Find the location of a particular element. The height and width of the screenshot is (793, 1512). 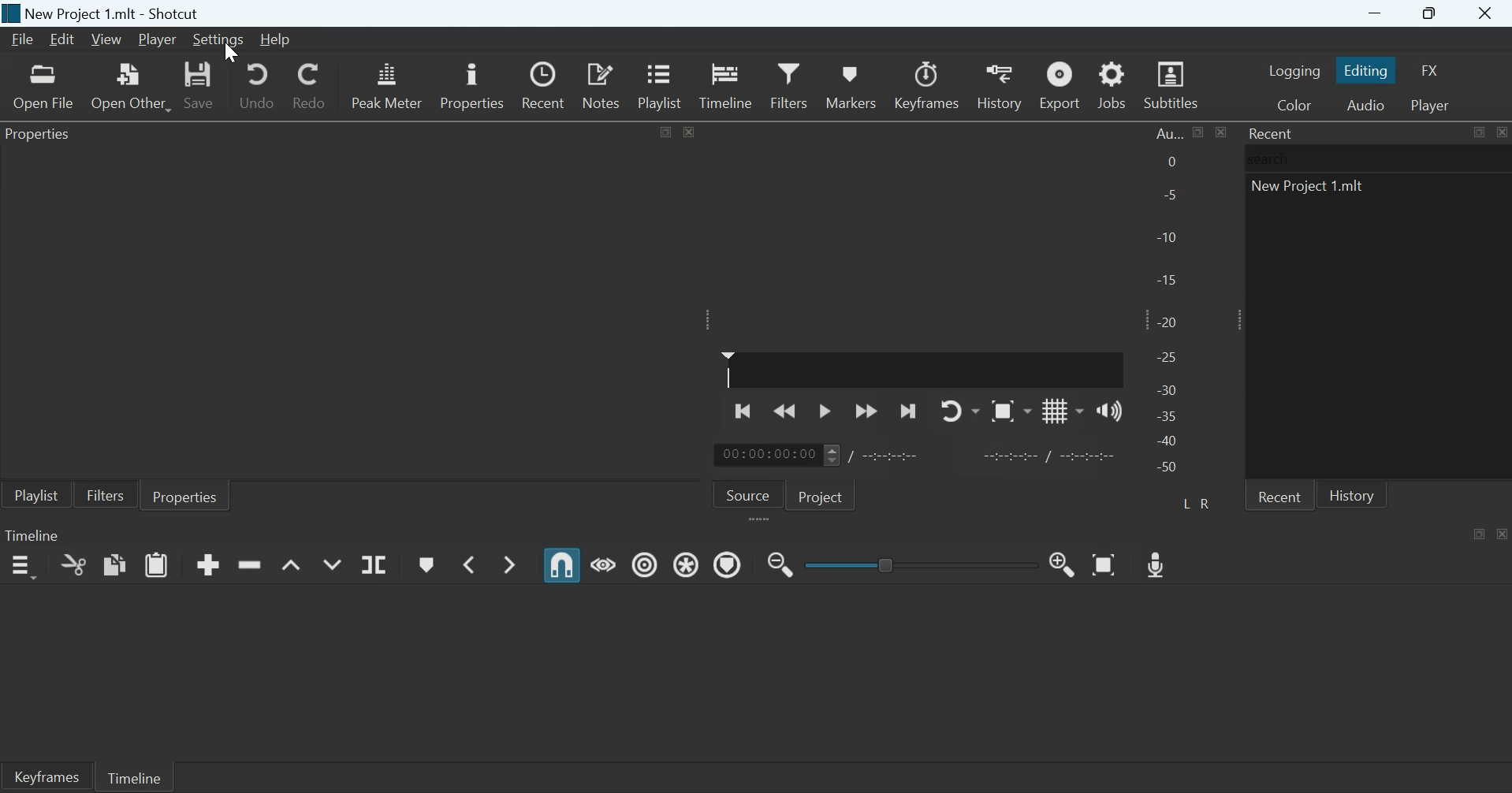

Left is located at coordinates (1188, 502).